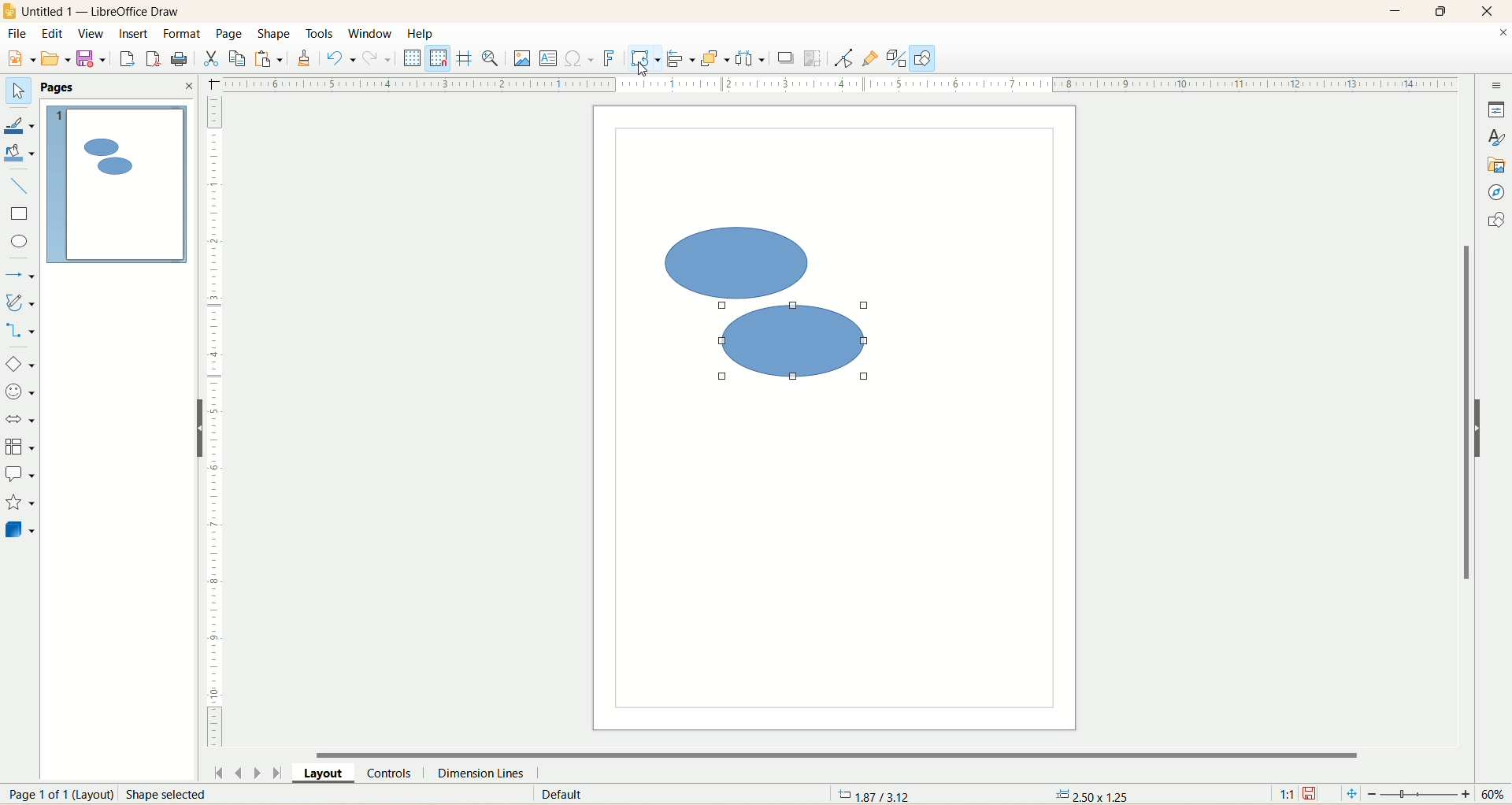 This screenshot has height=805, width=1512. What do you see at coordinates (715, 60) in the screenshot?
I see `arrange` at bounding box center [715, 60].